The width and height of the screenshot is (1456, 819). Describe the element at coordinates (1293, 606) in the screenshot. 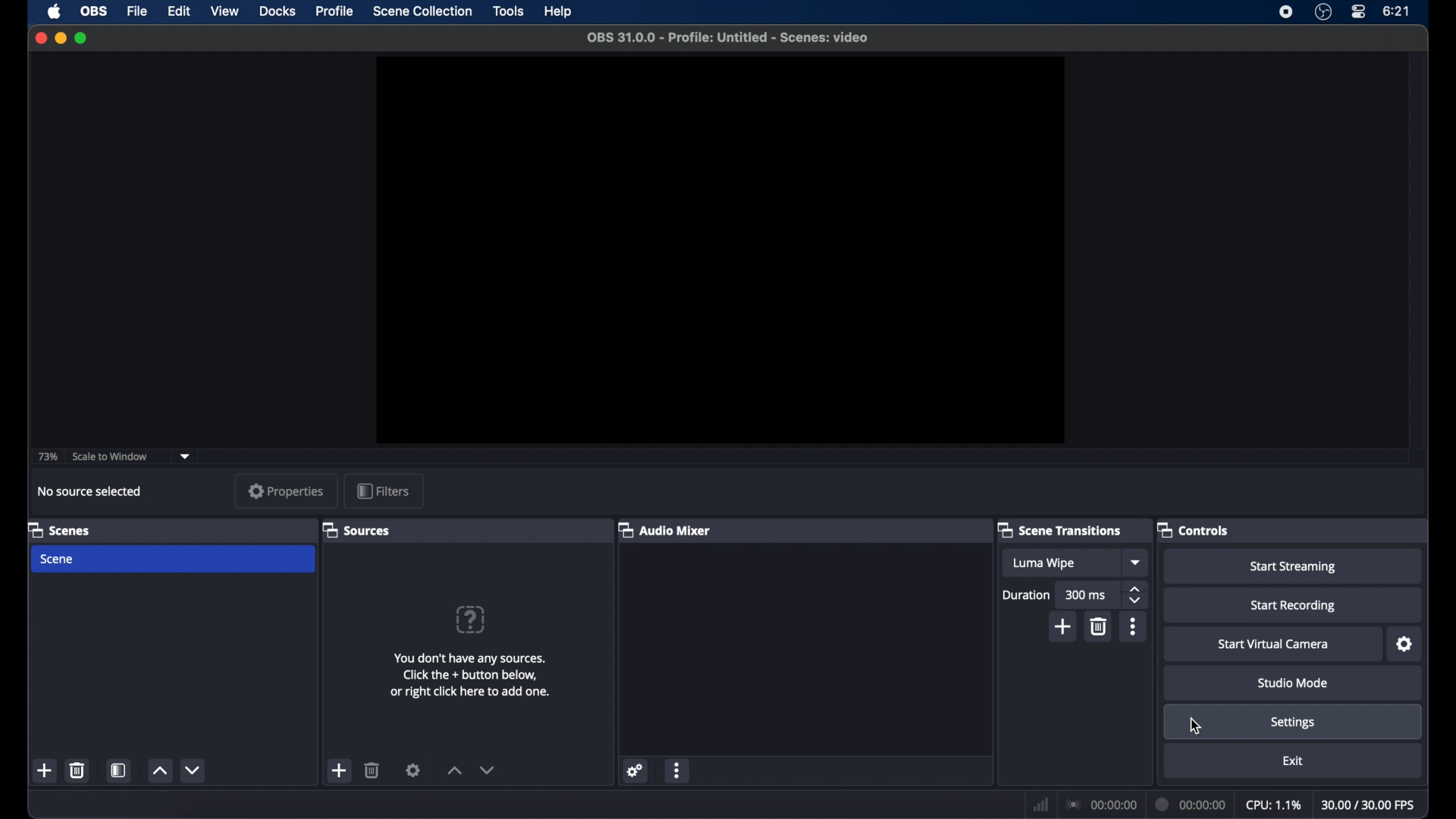

I see `start recording` at that location.